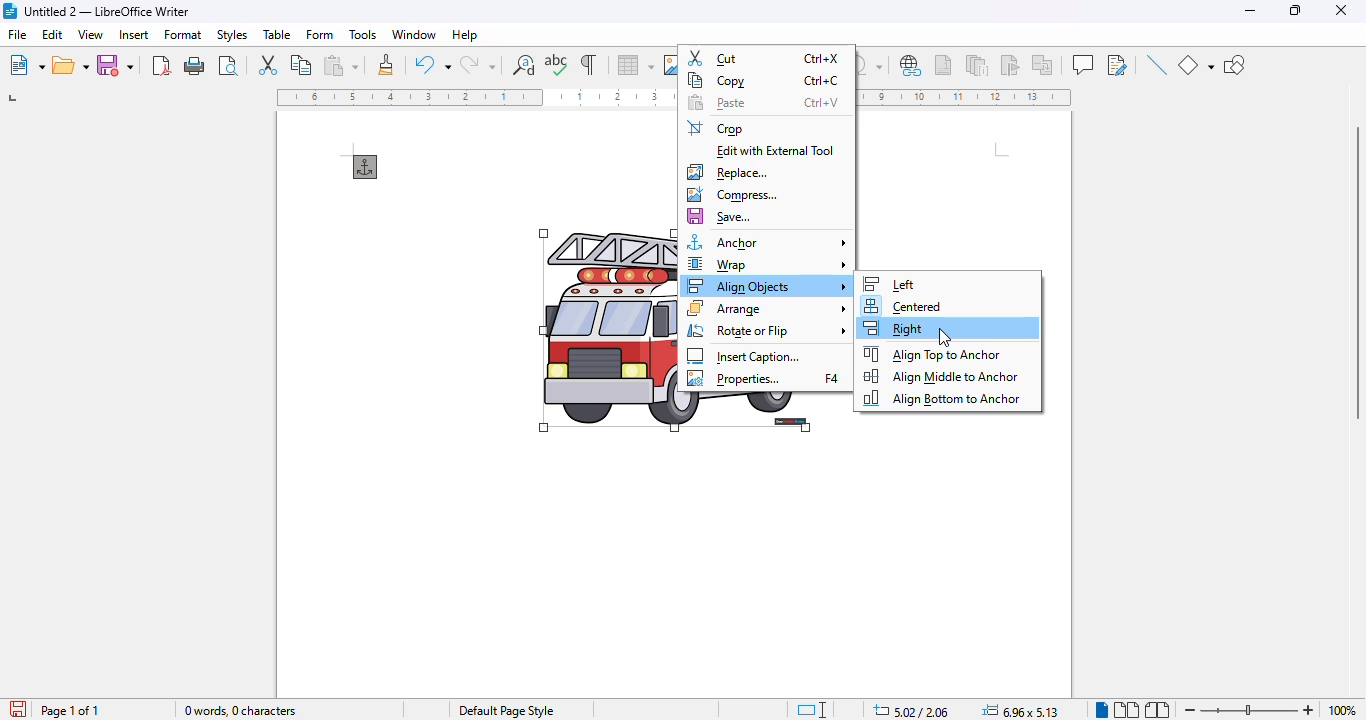  I want to click on rotate or flip, so click(767, 331).